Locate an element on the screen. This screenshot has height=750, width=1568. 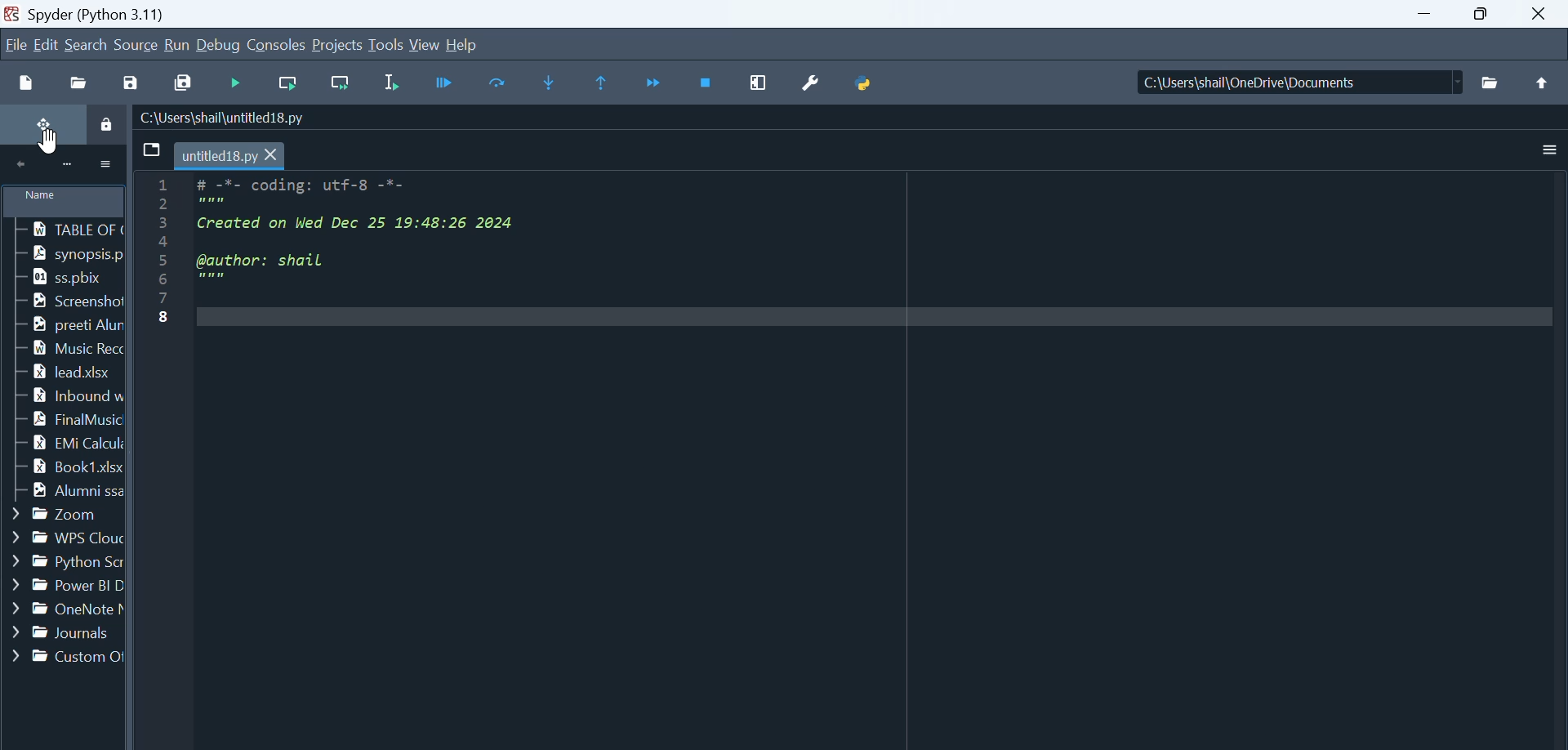
Step into the next function is located at coordinates (552, 83).